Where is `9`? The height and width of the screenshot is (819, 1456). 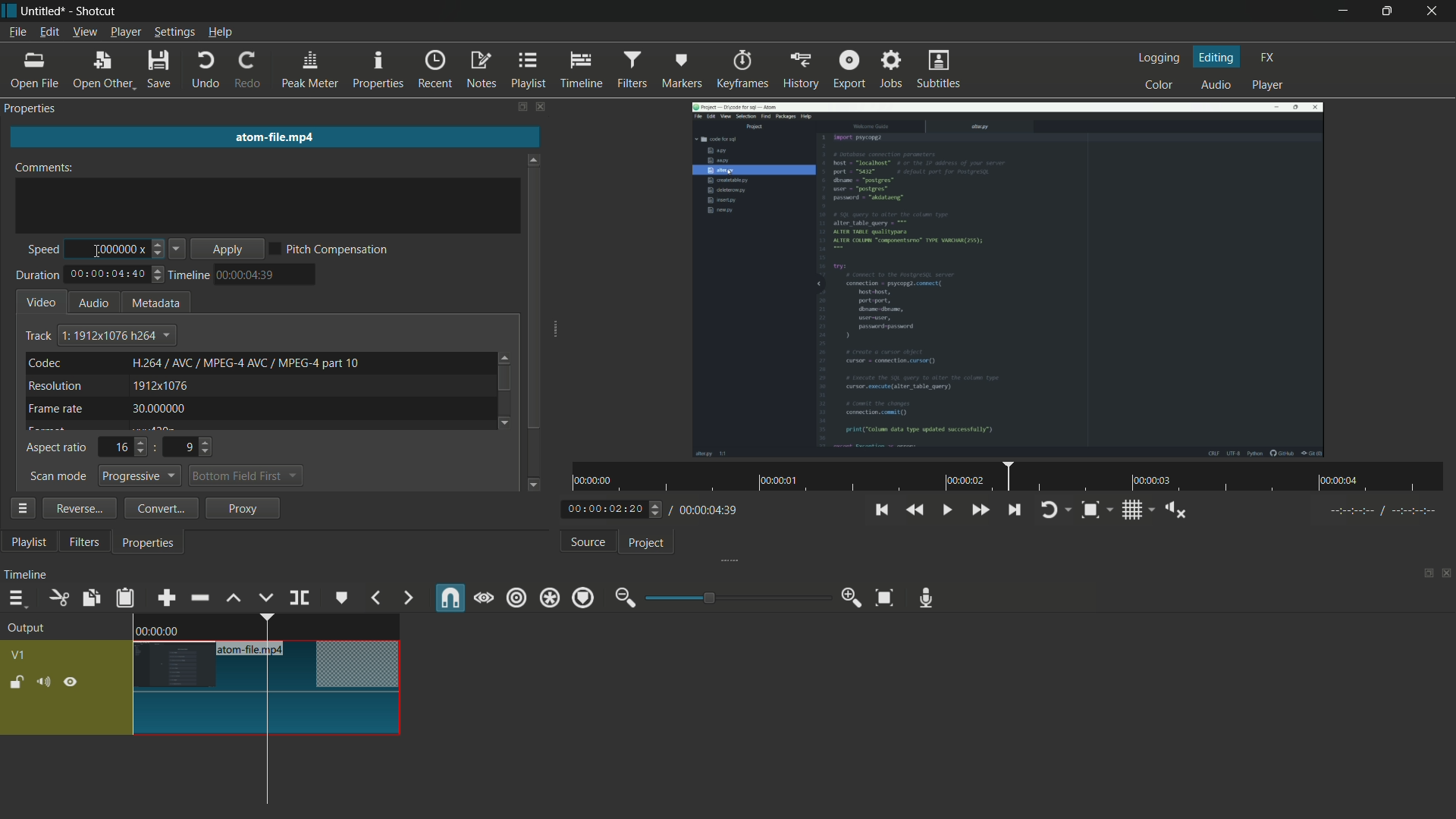 9 is located at coordinates (187, 447).